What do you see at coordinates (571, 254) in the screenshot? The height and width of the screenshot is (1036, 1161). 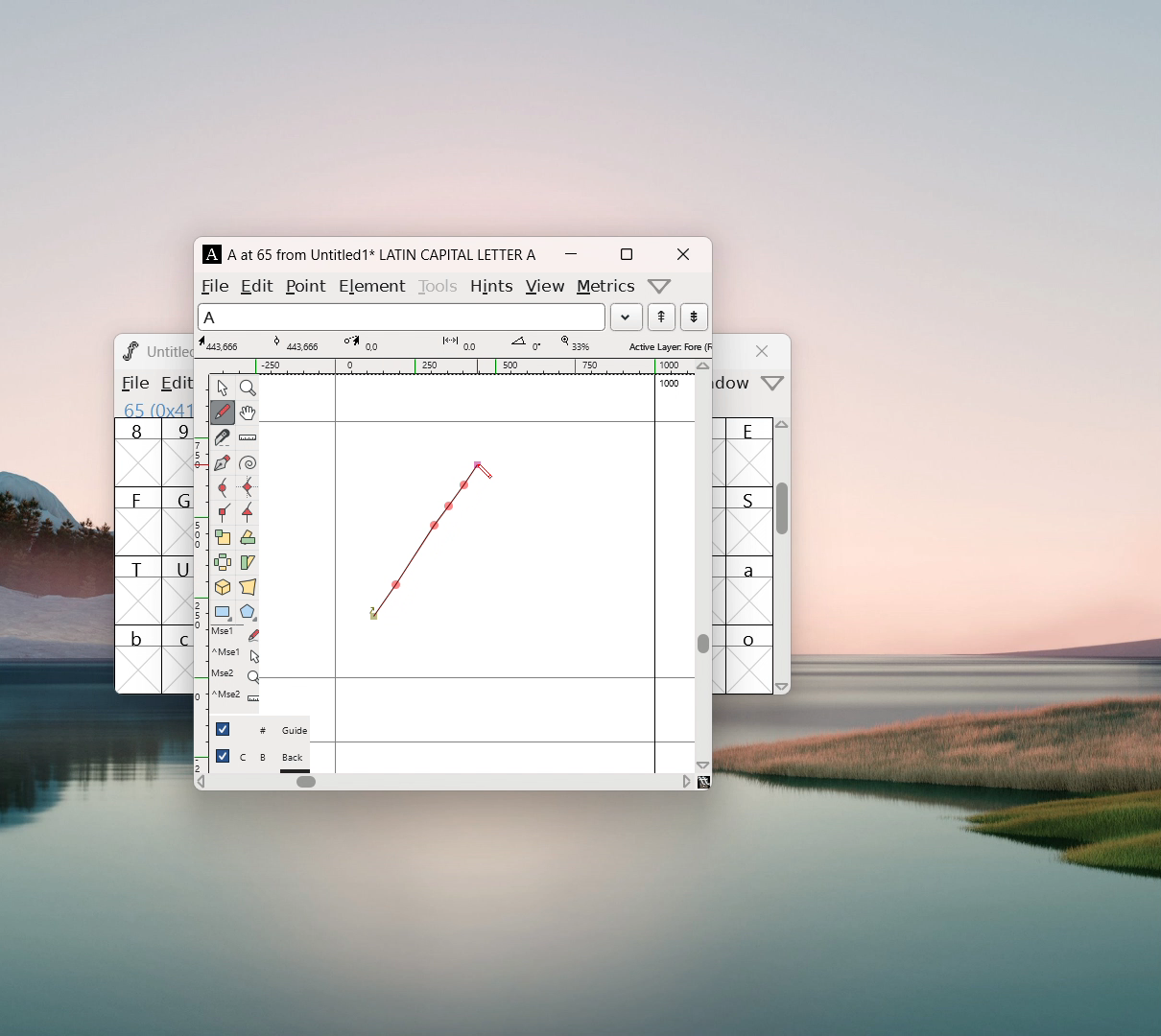 I see `mimize` at bounding box center [571, 254].